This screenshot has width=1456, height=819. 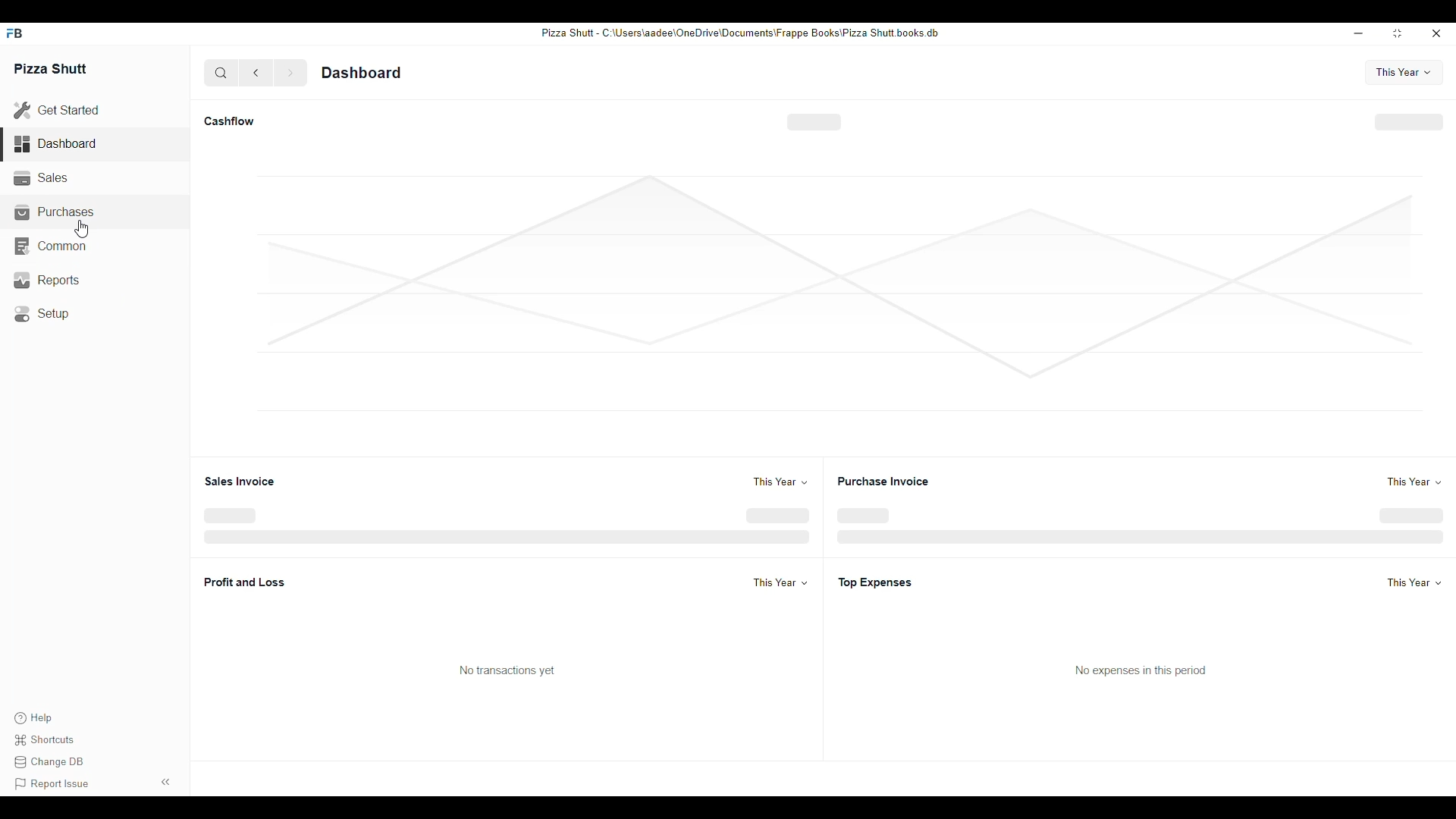 What do you see at coordinates (57, 212) in the screenshot?
I see `Purchases` at bounding box center [57, 212].